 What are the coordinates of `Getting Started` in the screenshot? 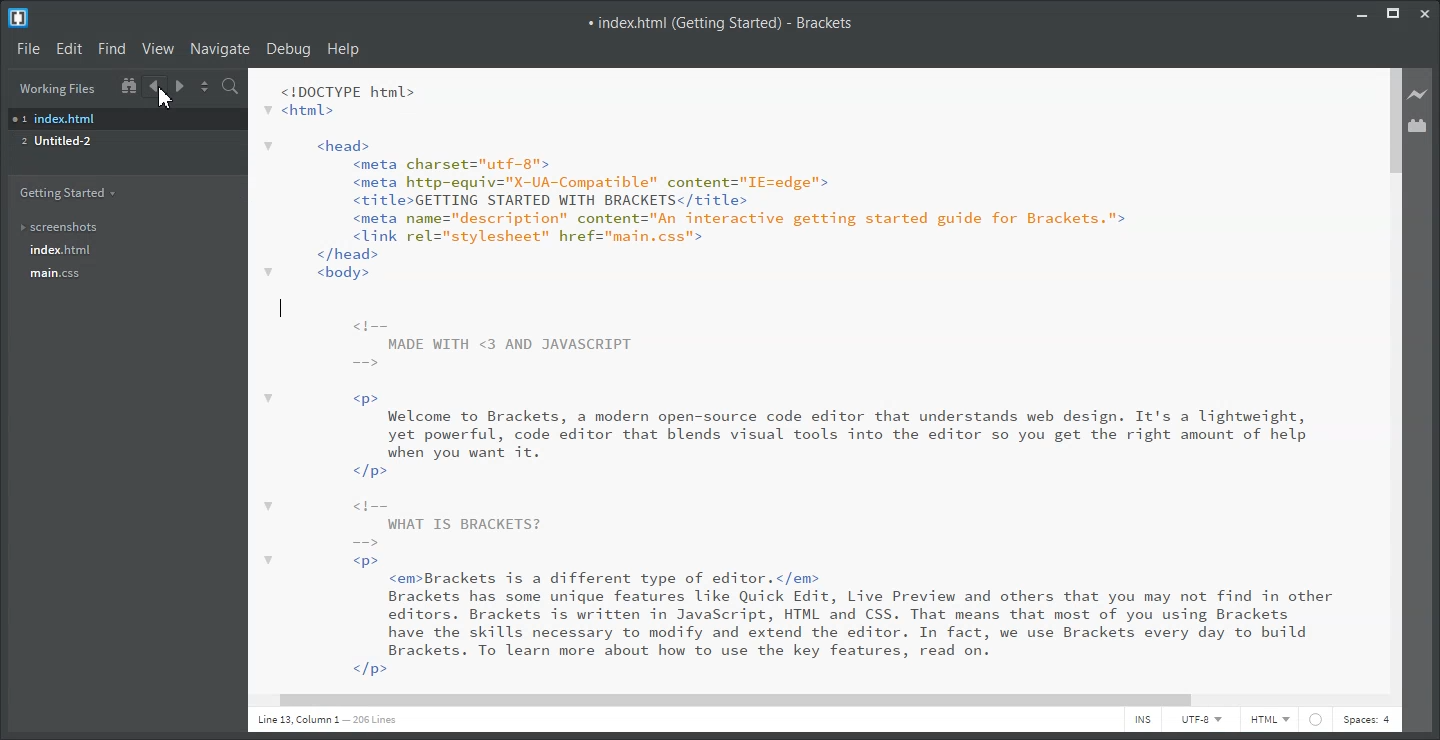 It's located at (73, 194).